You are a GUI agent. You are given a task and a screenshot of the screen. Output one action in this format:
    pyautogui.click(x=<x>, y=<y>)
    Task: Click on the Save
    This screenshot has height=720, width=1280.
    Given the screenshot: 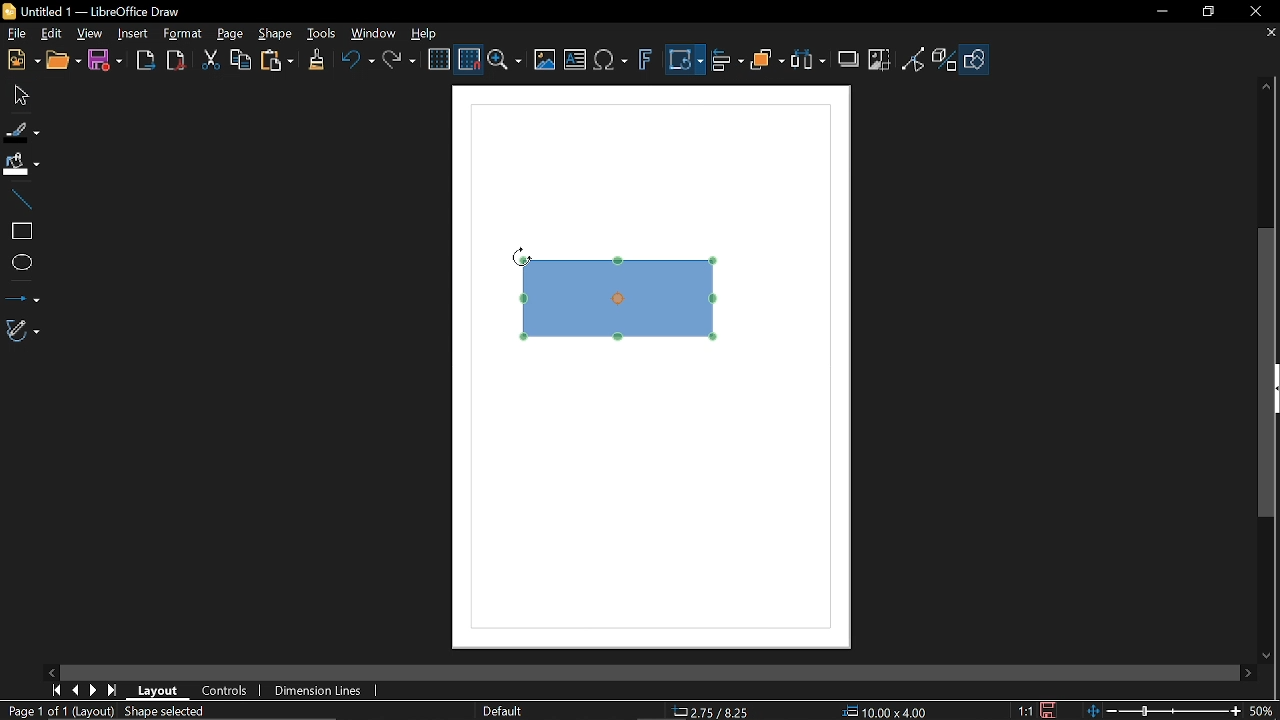 What is the action you would take?
    pyautogui.click(x=1046, y=711)
    